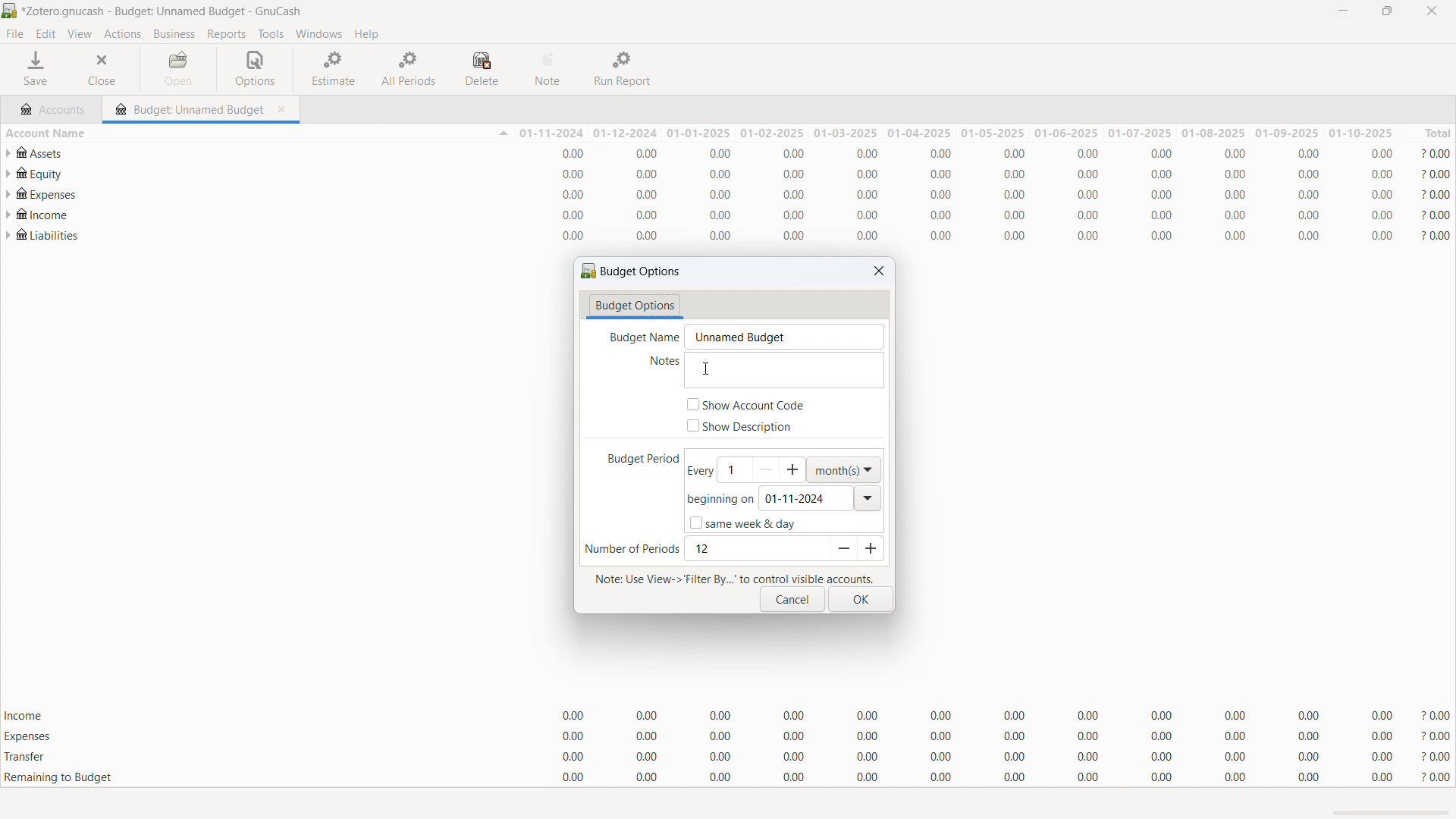 The height and width of the screenshot is (819, 1456). What do you see at coordinates (761, 469) in the screenshot?
I see `set budget period` at bounding box center [761, 469].